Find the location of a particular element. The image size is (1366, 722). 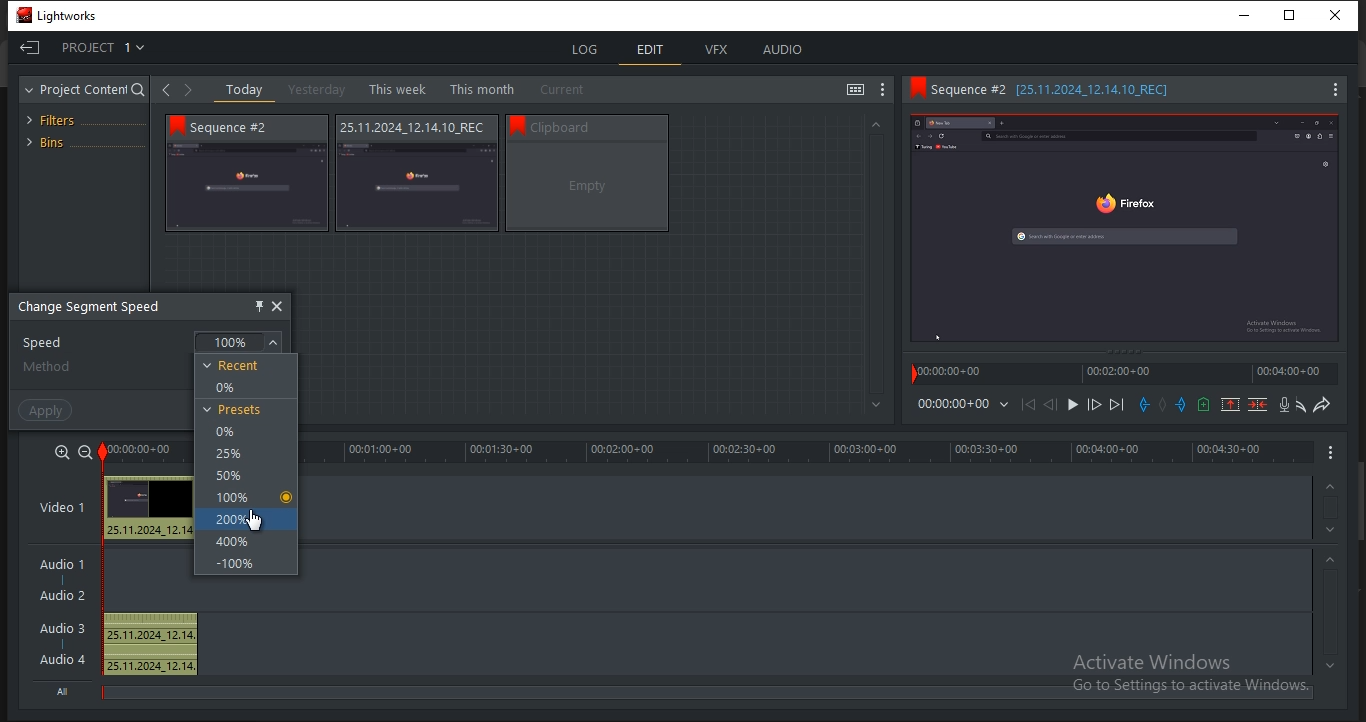

bins is located at coordinates (80, 141).